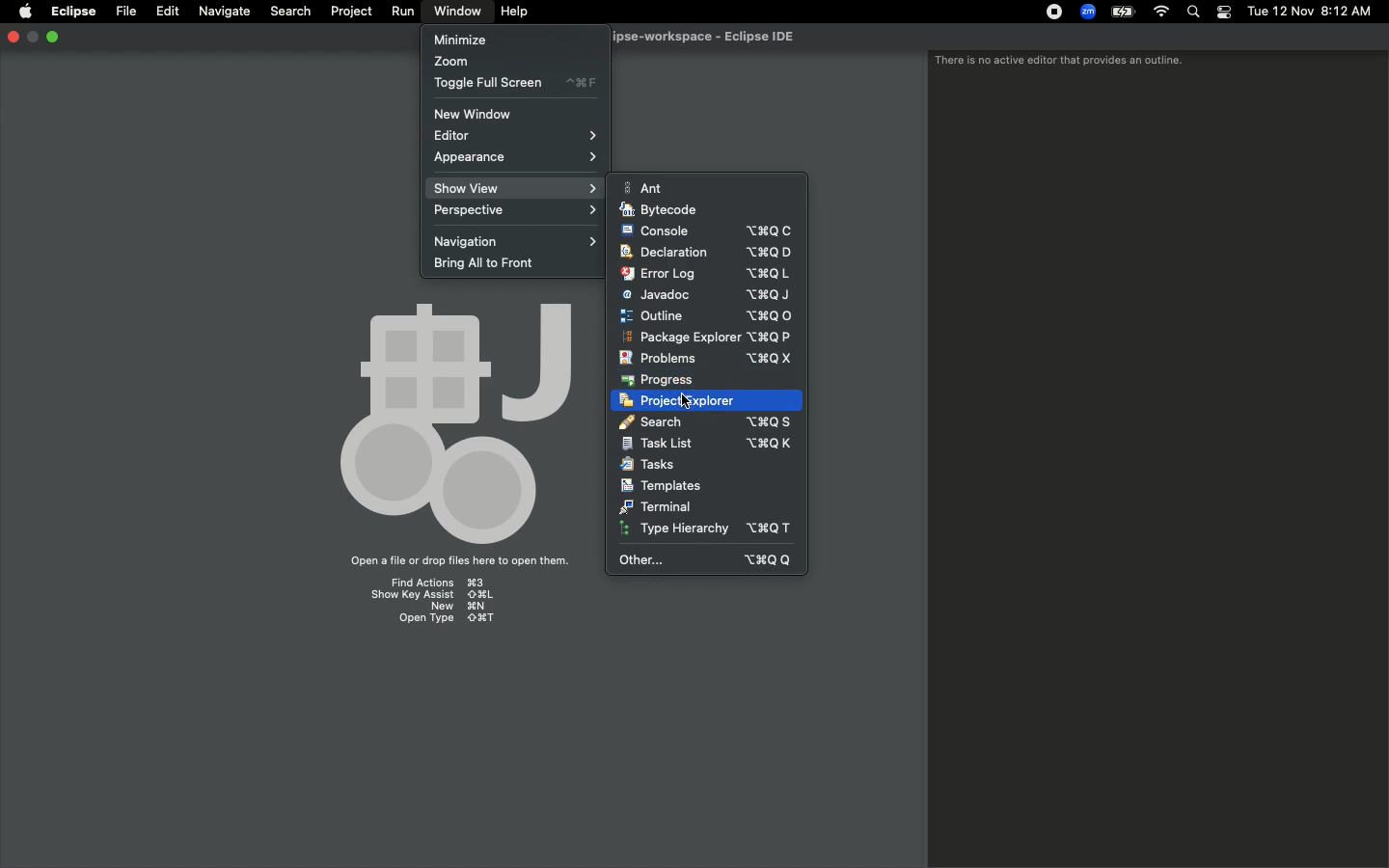 The height and width of the screenshot is (868, 1389). I want to click on Bring all to front, so click(489, 265).